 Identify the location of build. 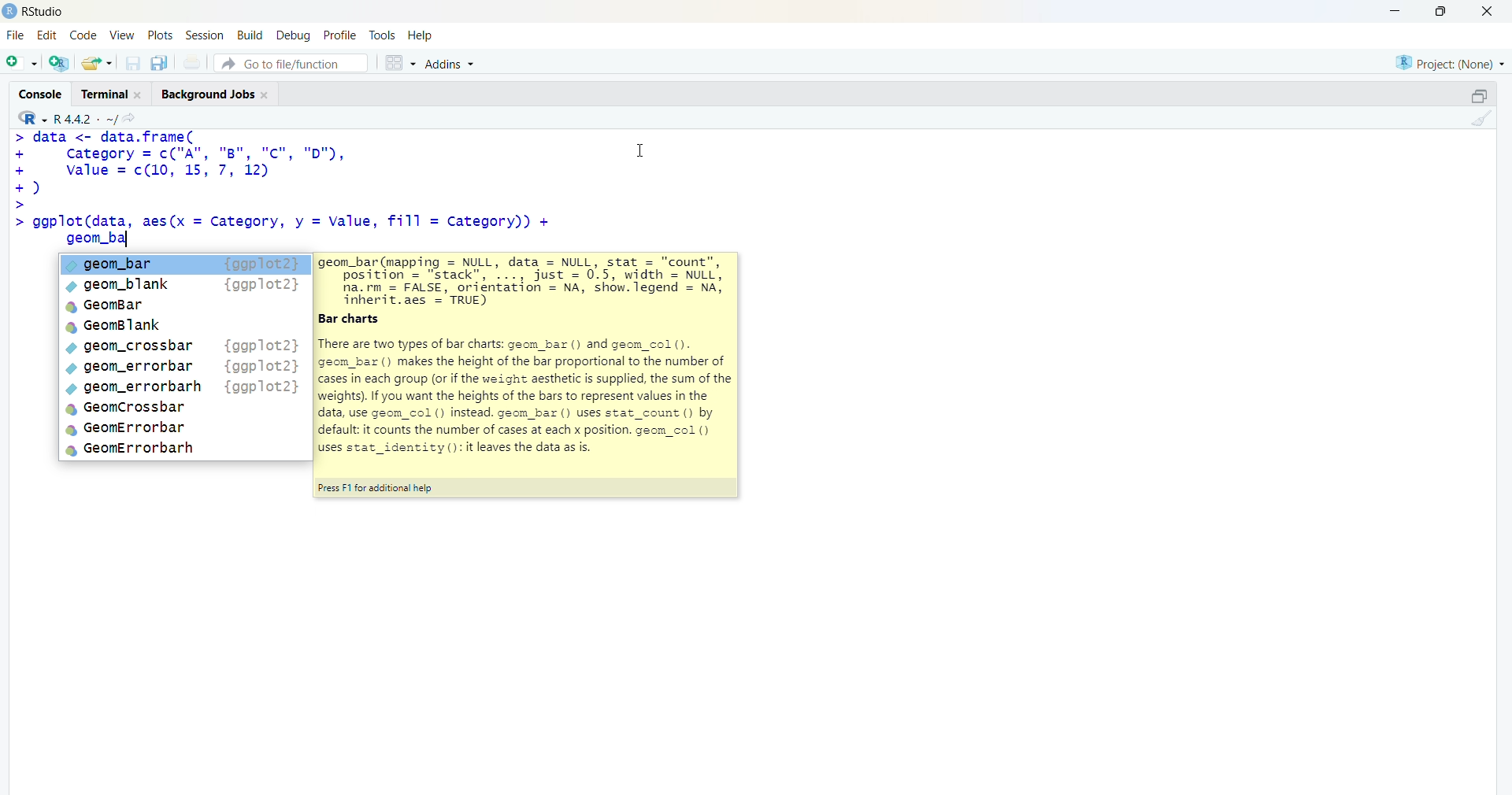
(249, 35).